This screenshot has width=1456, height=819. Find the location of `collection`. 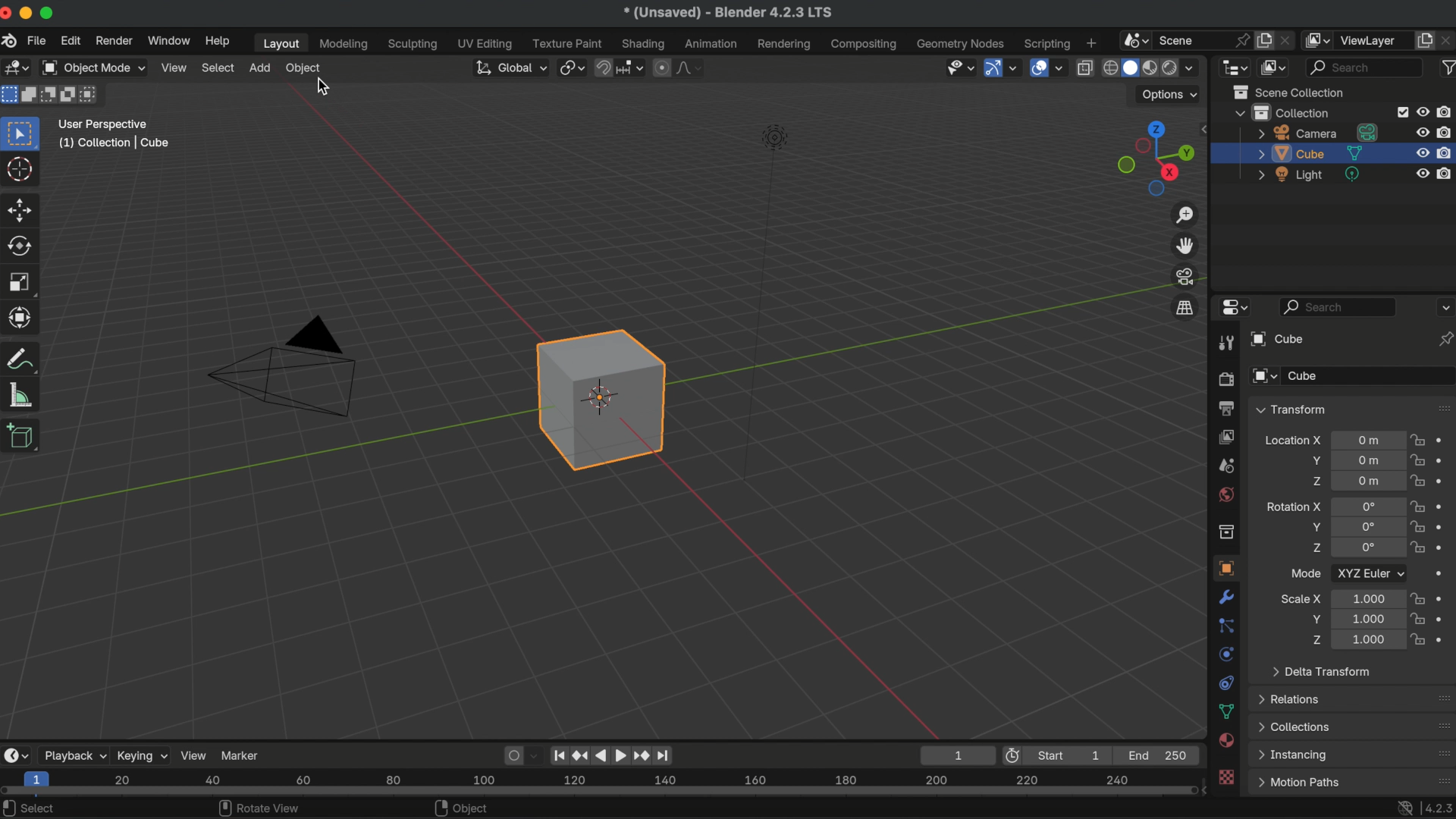

collection is located at coordinates (1282, 112).